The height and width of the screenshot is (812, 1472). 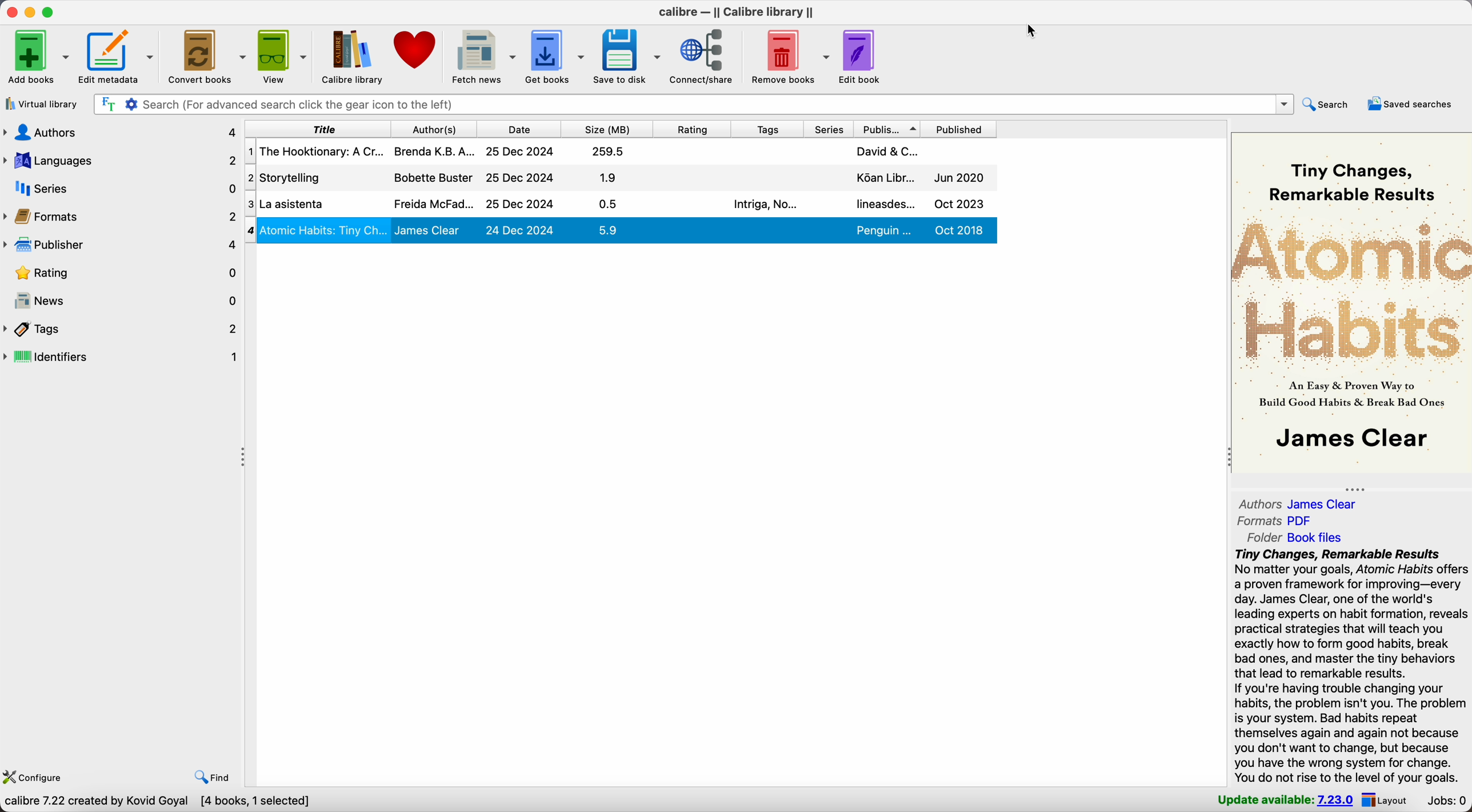 What do you see at coordinates (250, 151) in the screenshot?
I see `1` at bounding box center [250, 151].